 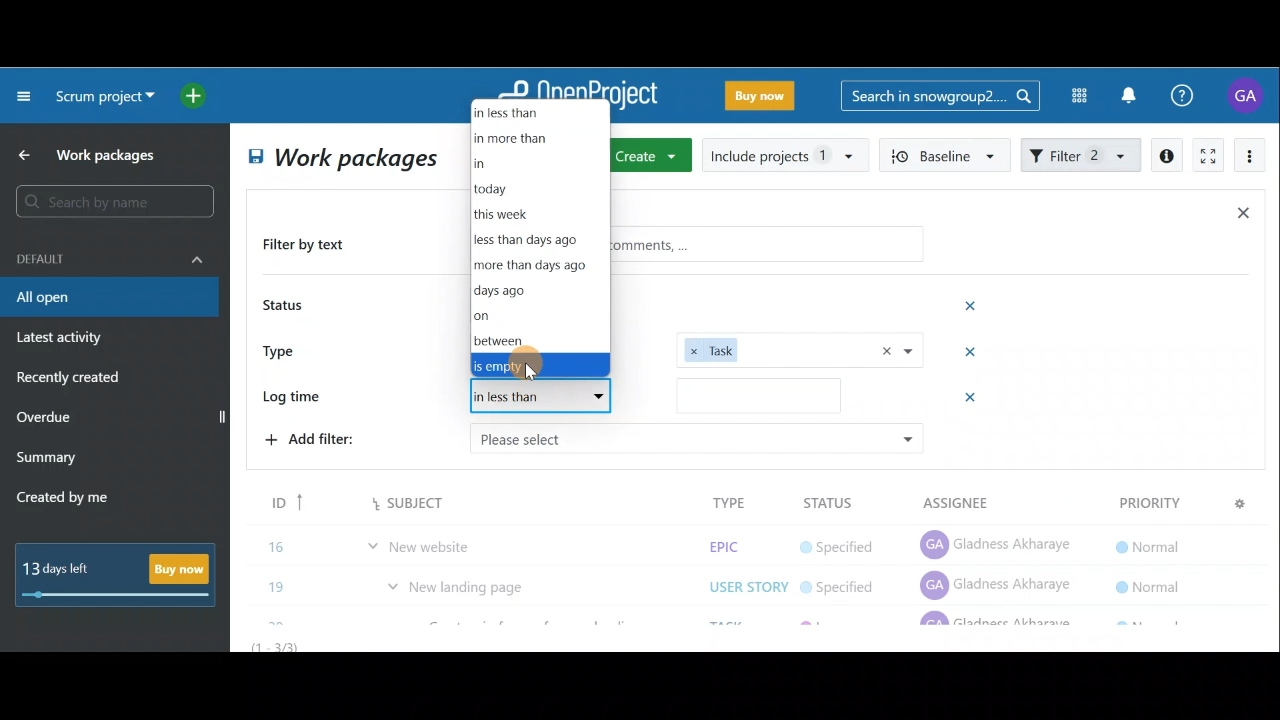 What do you see at coordinates (748, 542) in the screenshot?
I see `user story` at bounding box center [748, 542].